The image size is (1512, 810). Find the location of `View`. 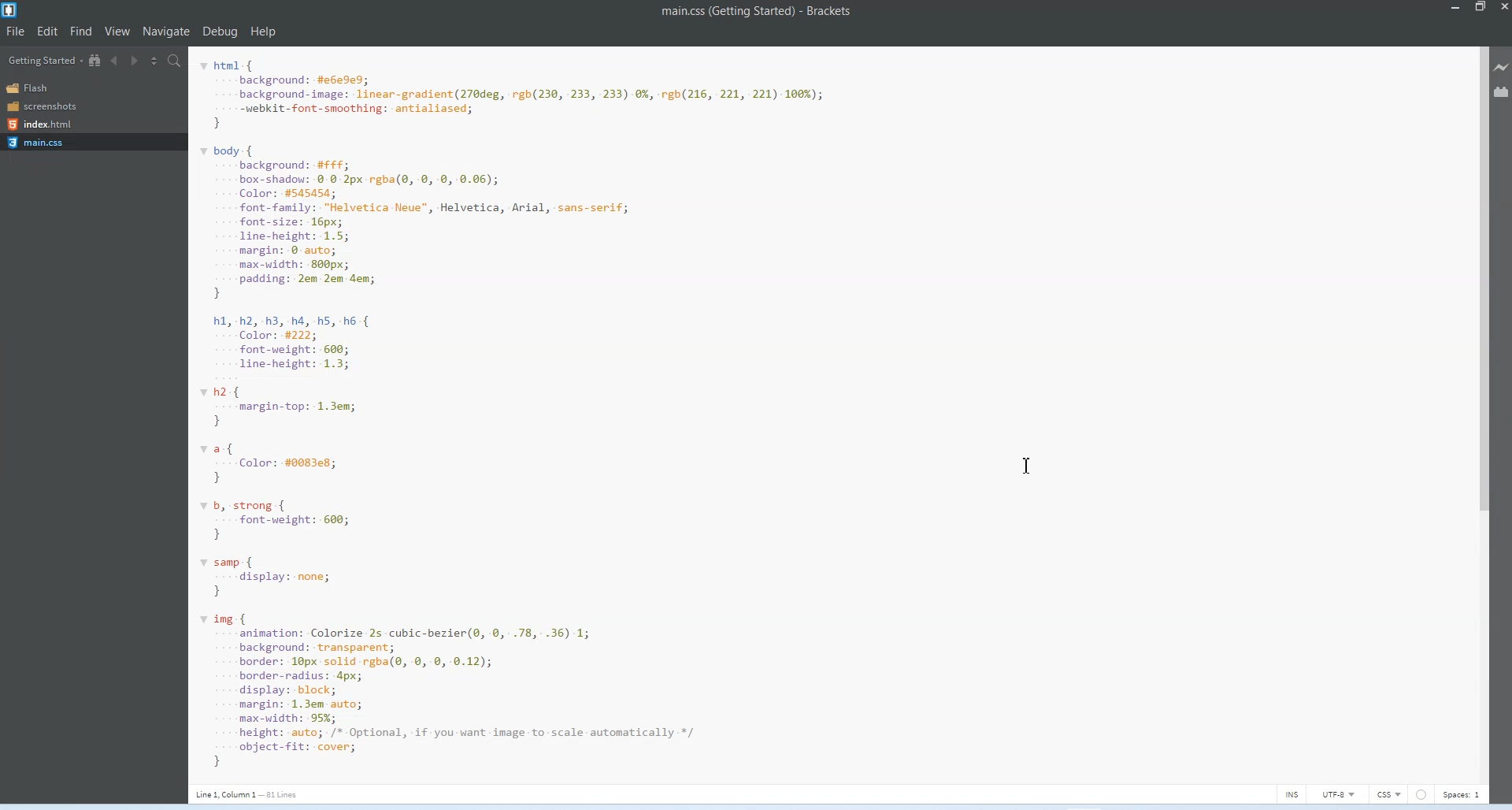

View is located at coordinates (119, 31).